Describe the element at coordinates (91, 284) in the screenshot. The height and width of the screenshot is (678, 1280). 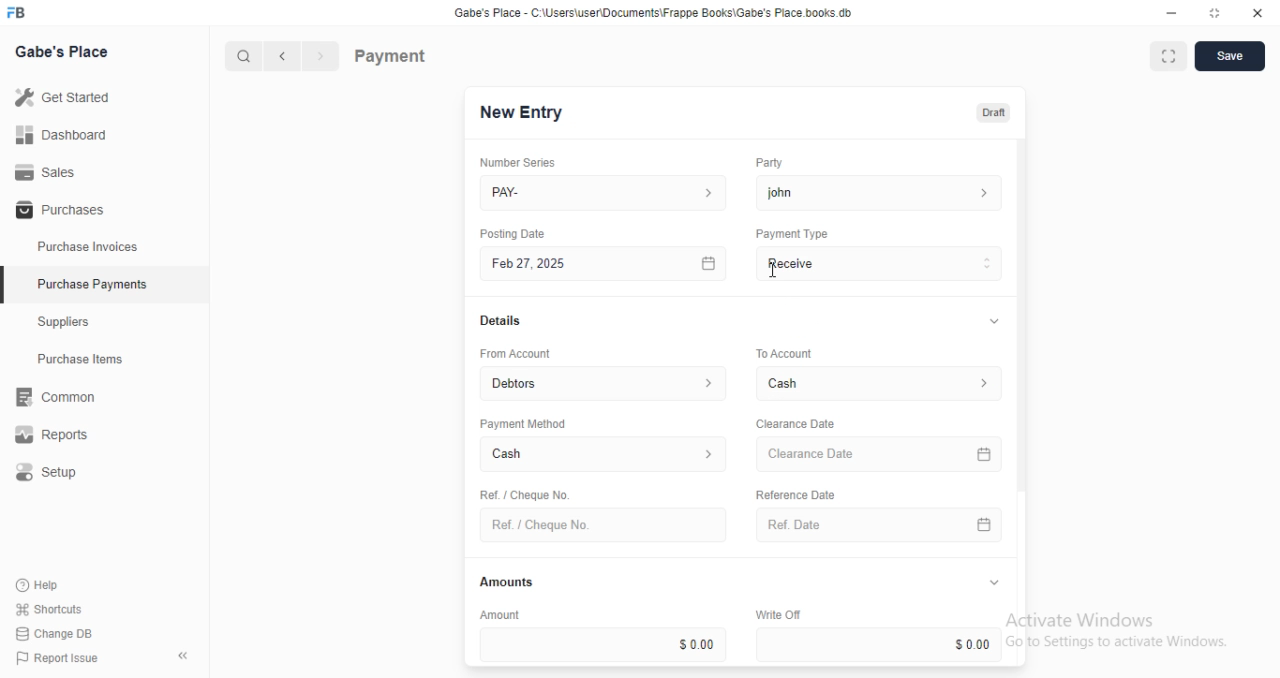
I see `Purchase Payments` at that location.